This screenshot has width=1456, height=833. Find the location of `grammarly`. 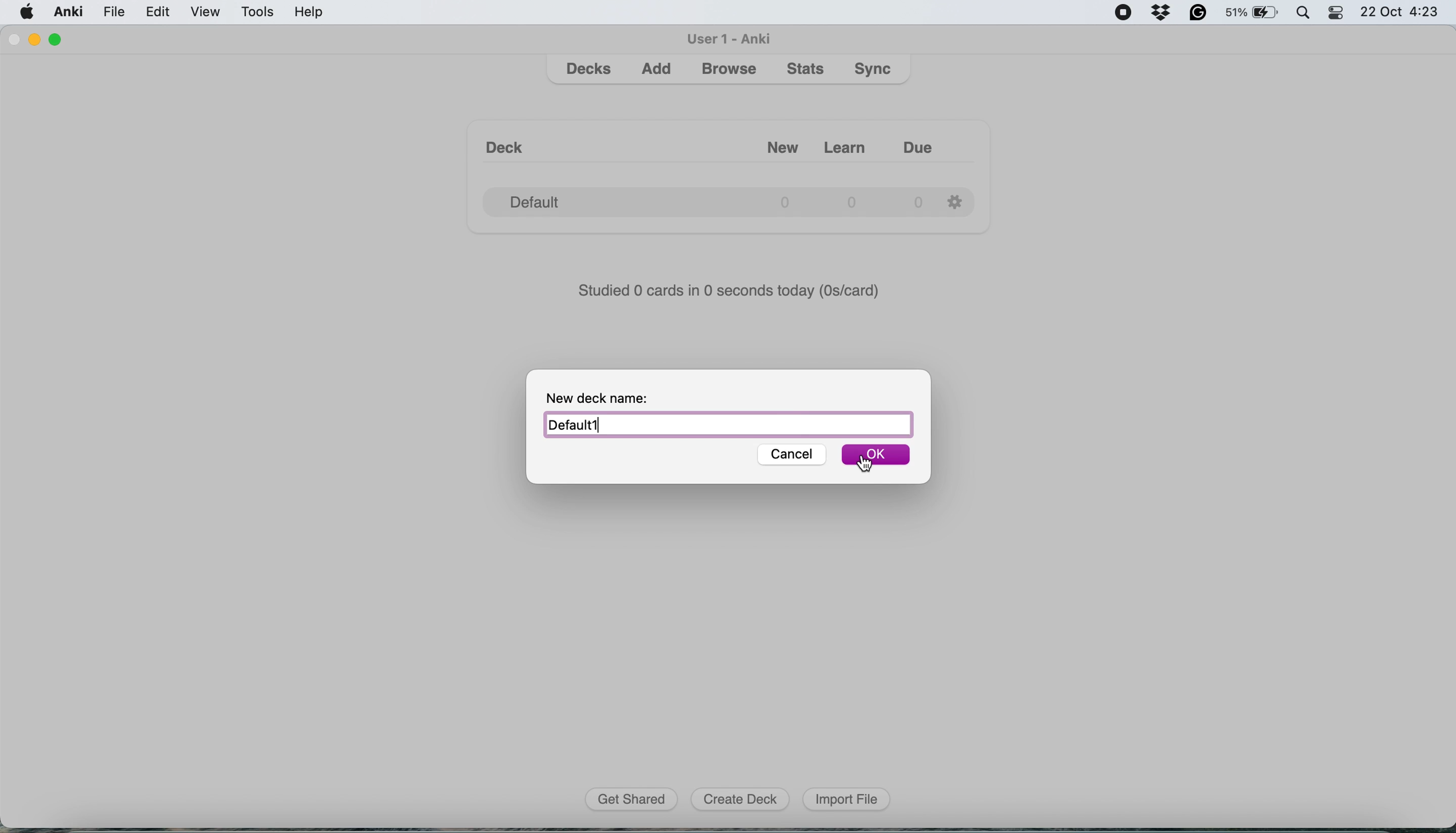

grammarly is located at coordinates (1198, 14).